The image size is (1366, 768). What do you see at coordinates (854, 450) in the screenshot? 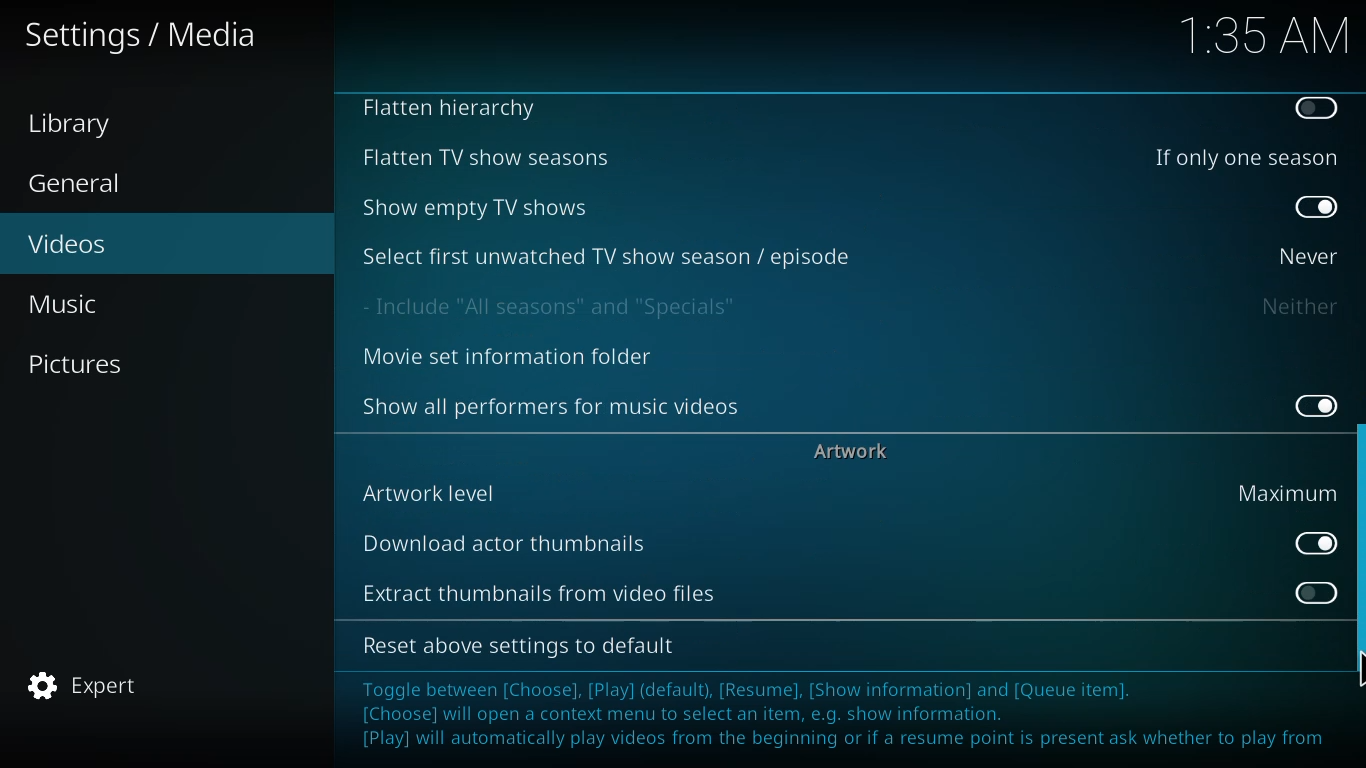
I see `artwork` at bounding box center [854, 450].